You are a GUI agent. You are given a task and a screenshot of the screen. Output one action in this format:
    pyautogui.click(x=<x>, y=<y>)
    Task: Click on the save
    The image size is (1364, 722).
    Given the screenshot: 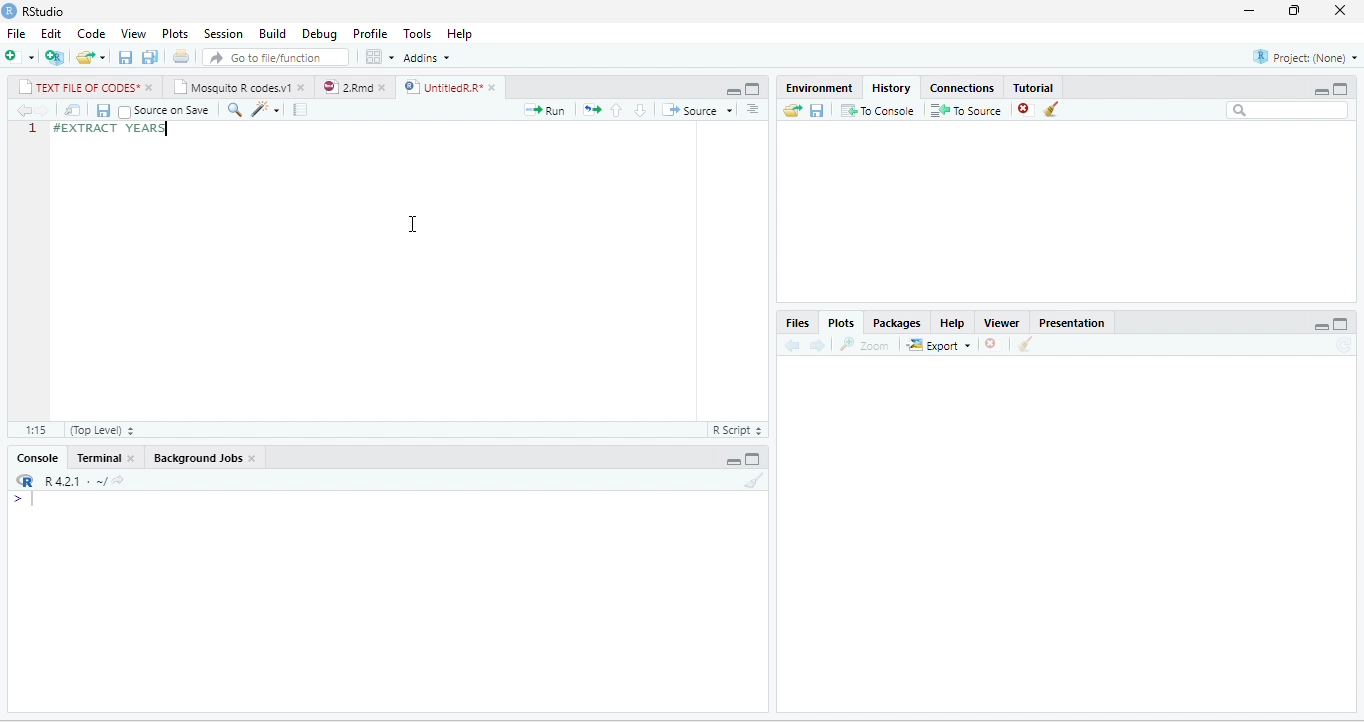 What is the action you would take?
    pyautogui.click(x=103, y=110)
    